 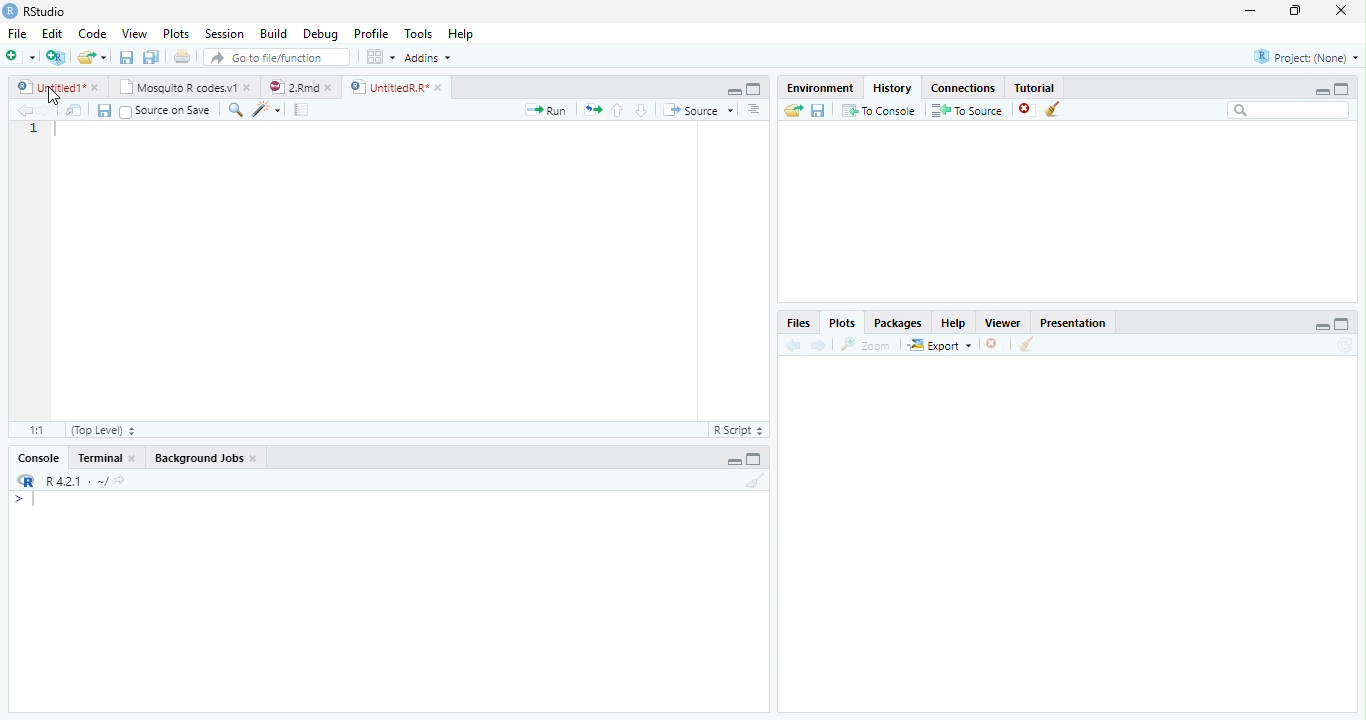 I want to click on Alignment, so click(x=753, y=110).